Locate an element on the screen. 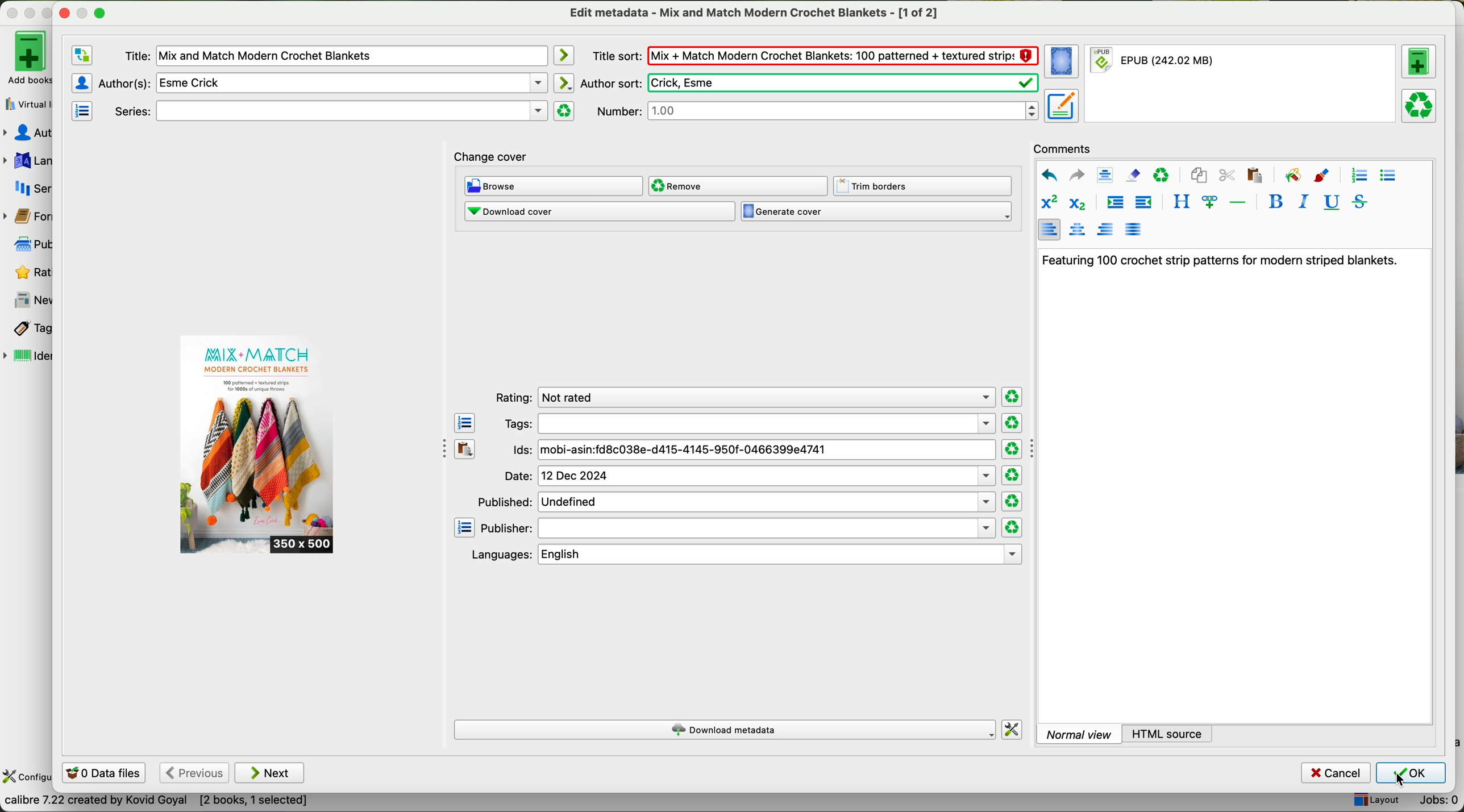  automatically create the title sort is located at coordinates (563, 56).